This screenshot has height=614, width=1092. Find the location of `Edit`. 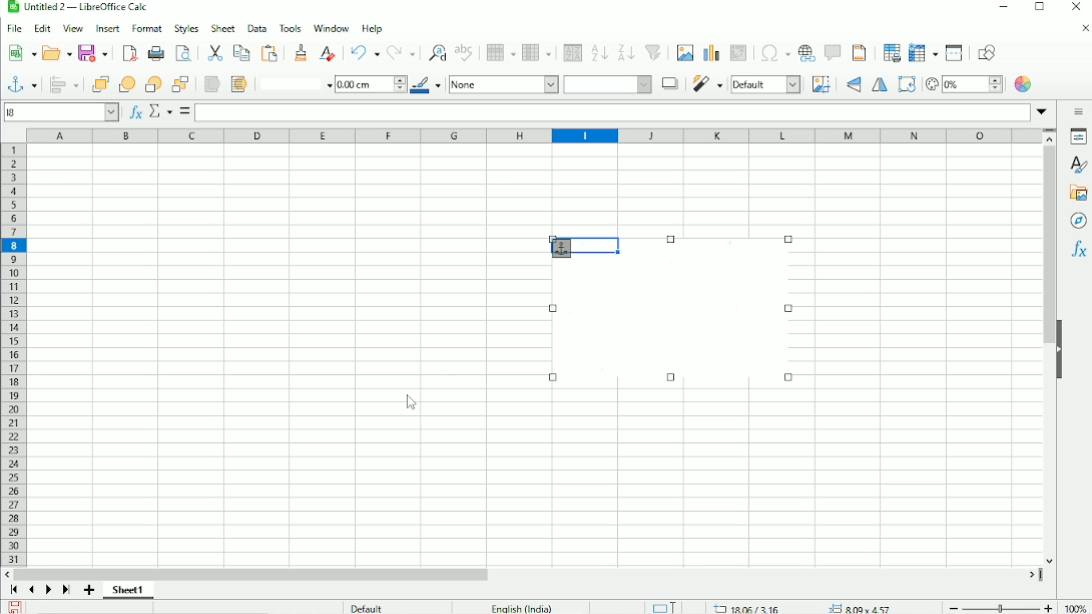

Edit is located at coordinates (42, 27).